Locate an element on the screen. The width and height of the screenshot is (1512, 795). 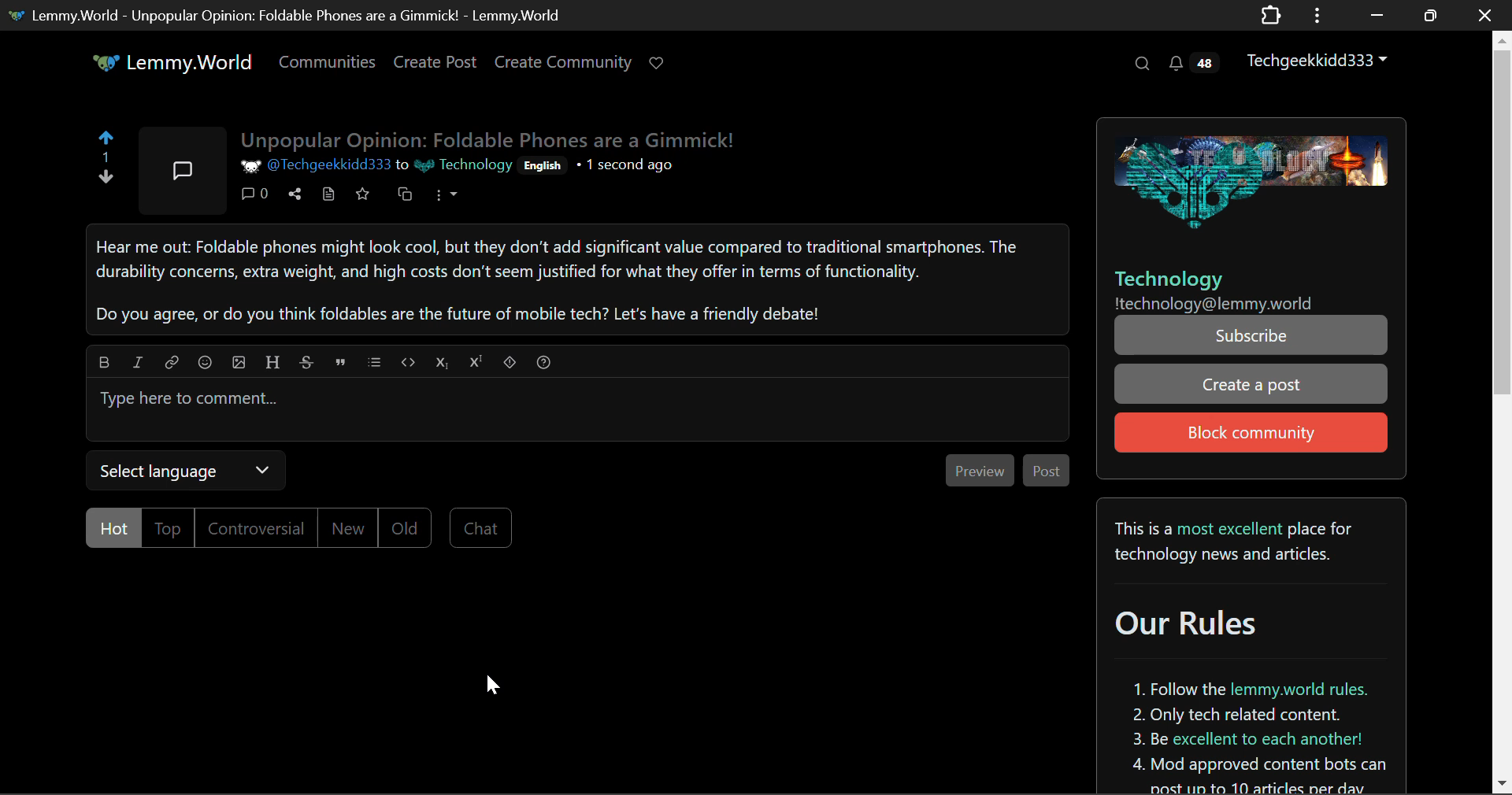
formatting help is located at coordinates (543, 360).